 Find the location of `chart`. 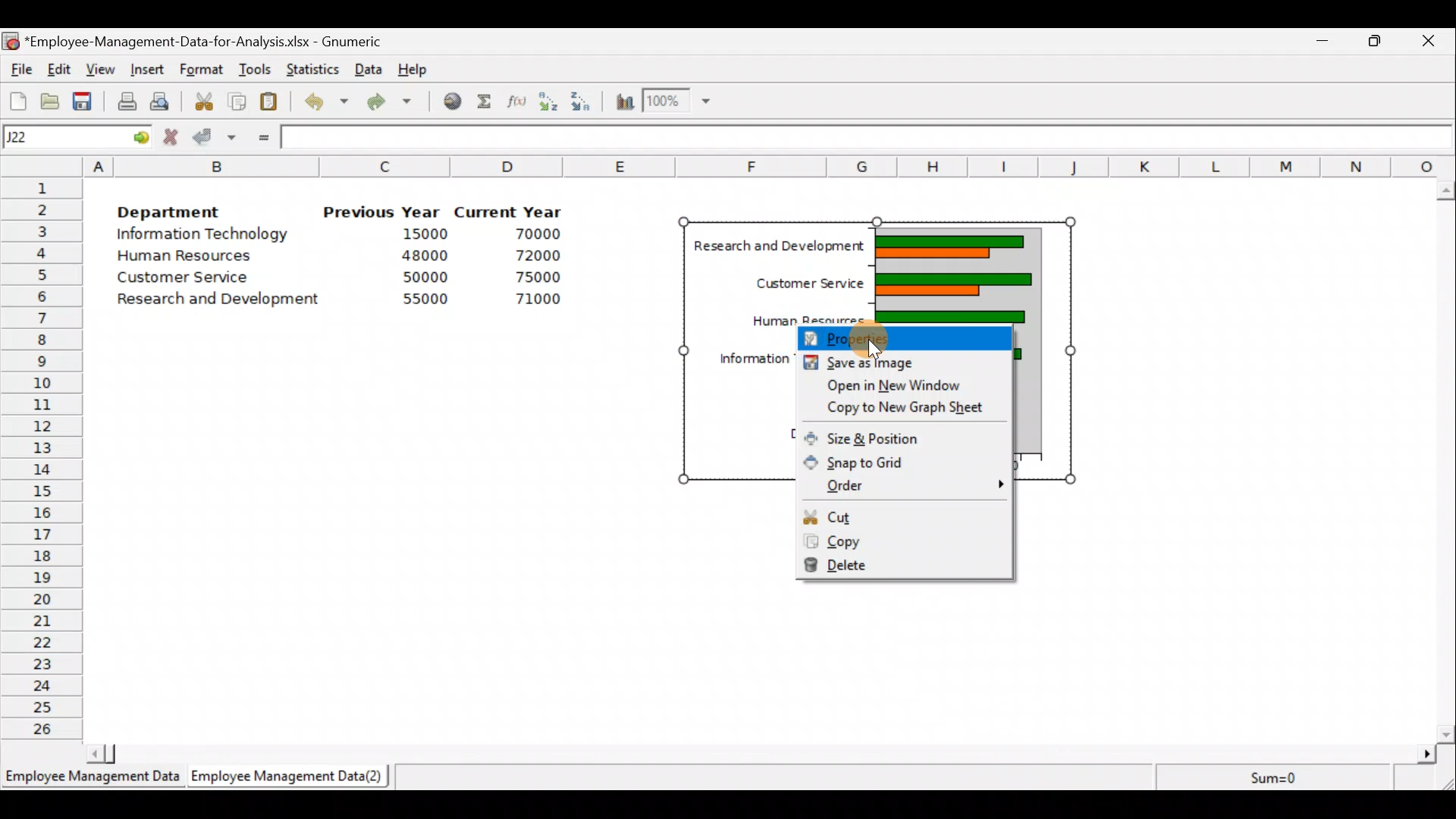

chart is located at coordinates (974, 270).